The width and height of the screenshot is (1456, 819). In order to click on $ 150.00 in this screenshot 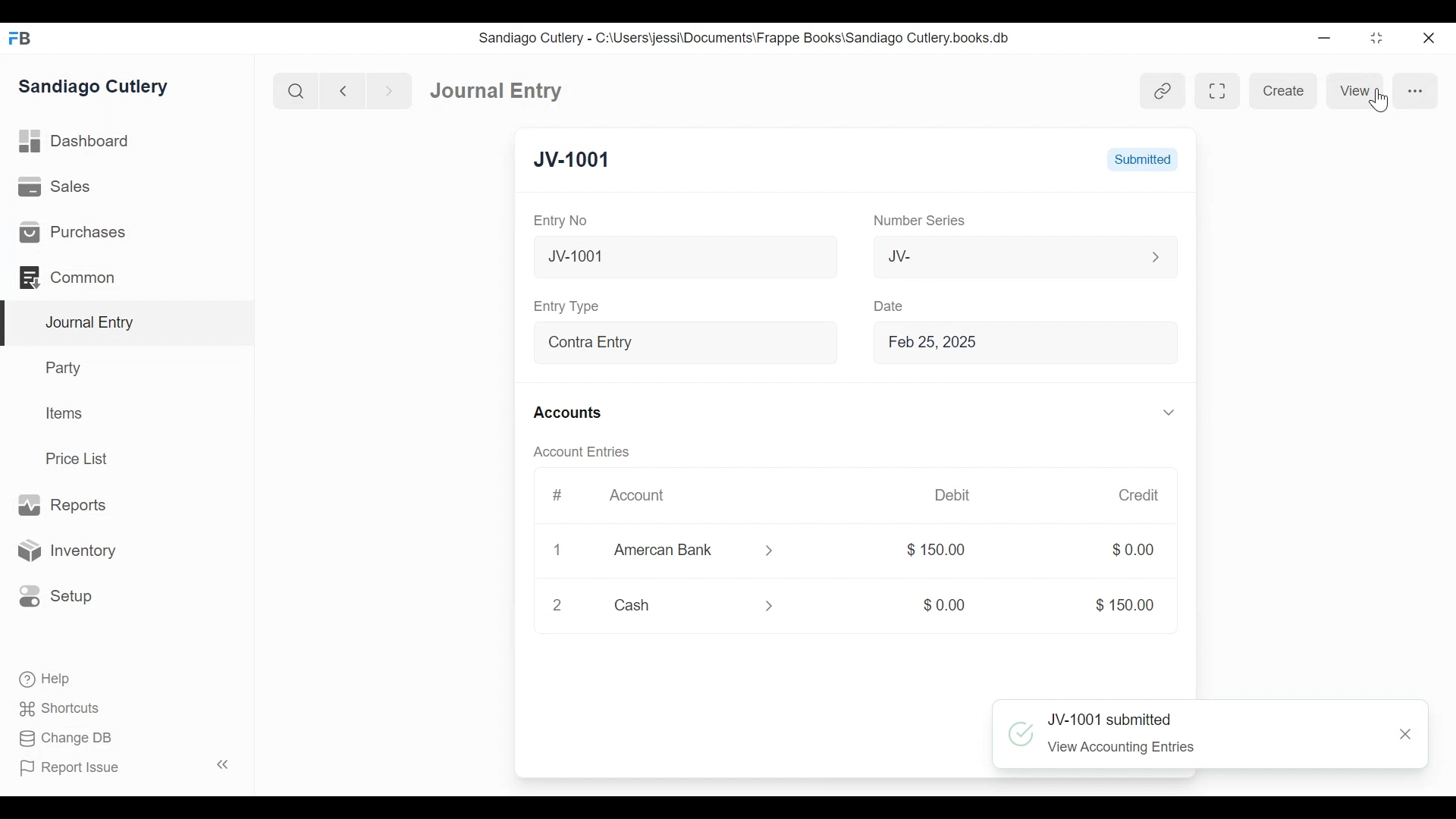, I will do `click(1118, 605)`.